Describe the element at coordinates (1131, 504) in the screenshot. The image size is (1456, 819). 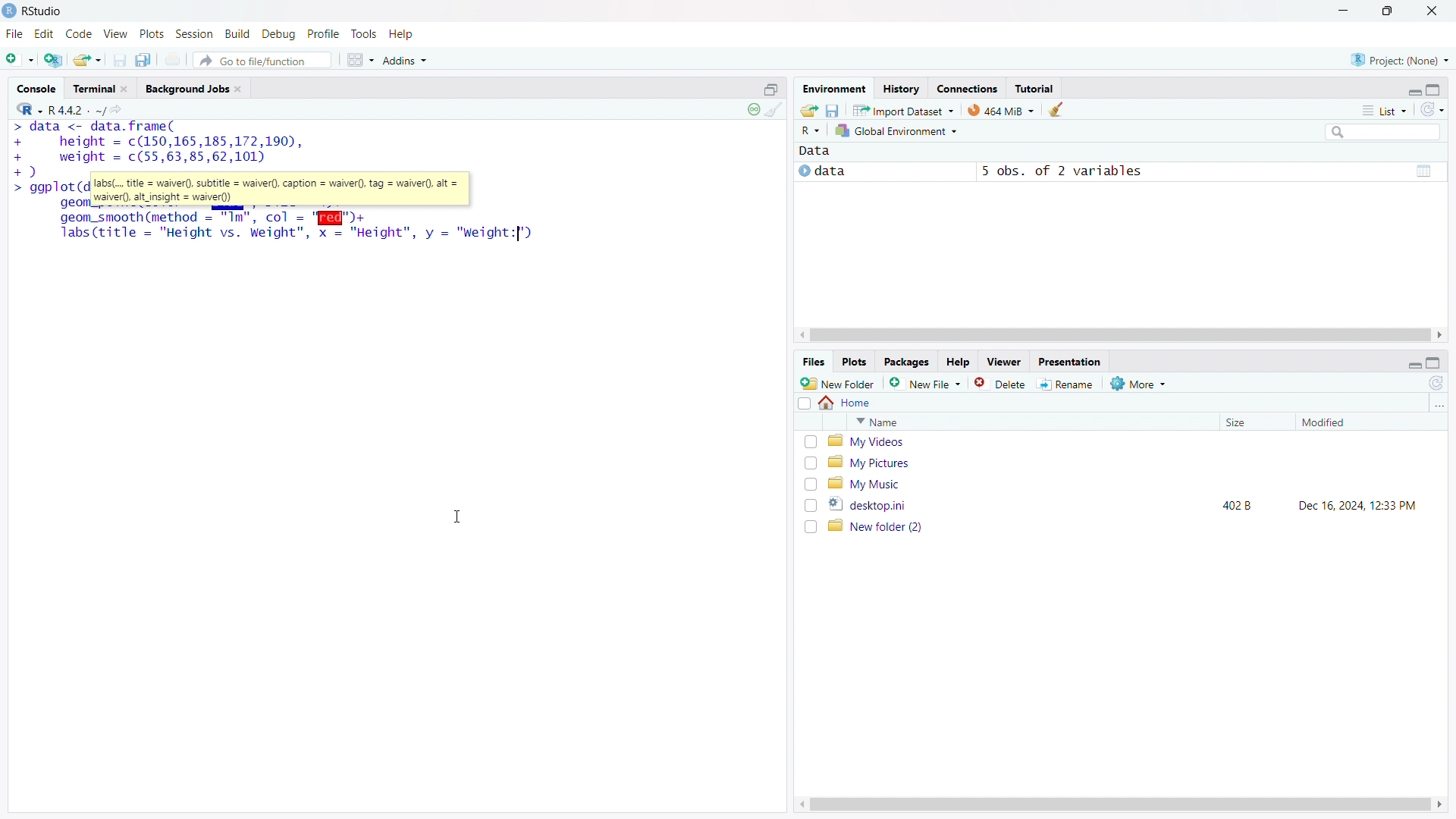
I see `desktop.in  402B Dec 16, 2024, 12:33PM` at that location.